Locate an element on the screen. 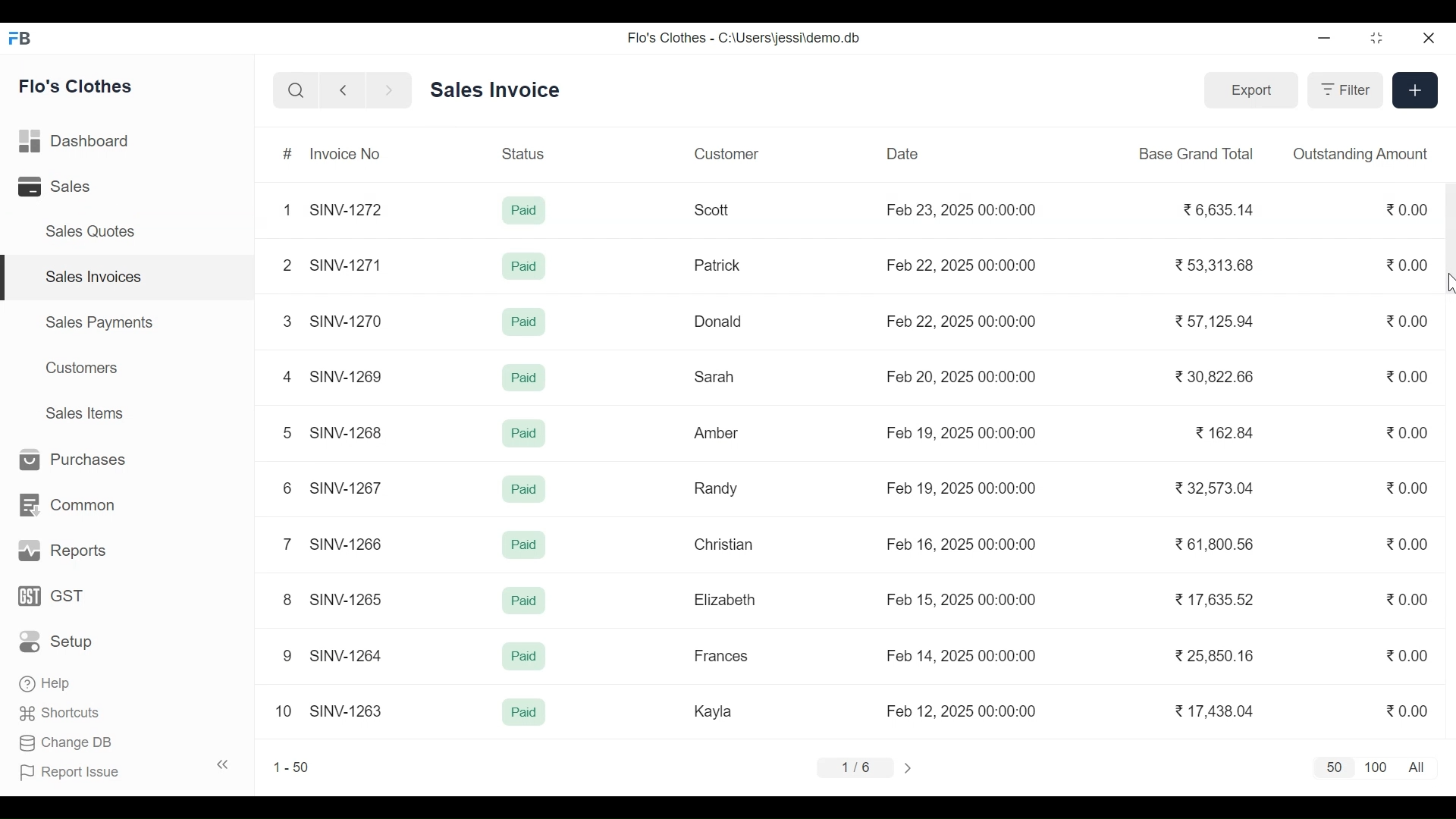 The height and width of the screenshot is (819, 1456). Flo's Clothes - C:\Users\jessi\demo.db is located at coordinates (746, 37).